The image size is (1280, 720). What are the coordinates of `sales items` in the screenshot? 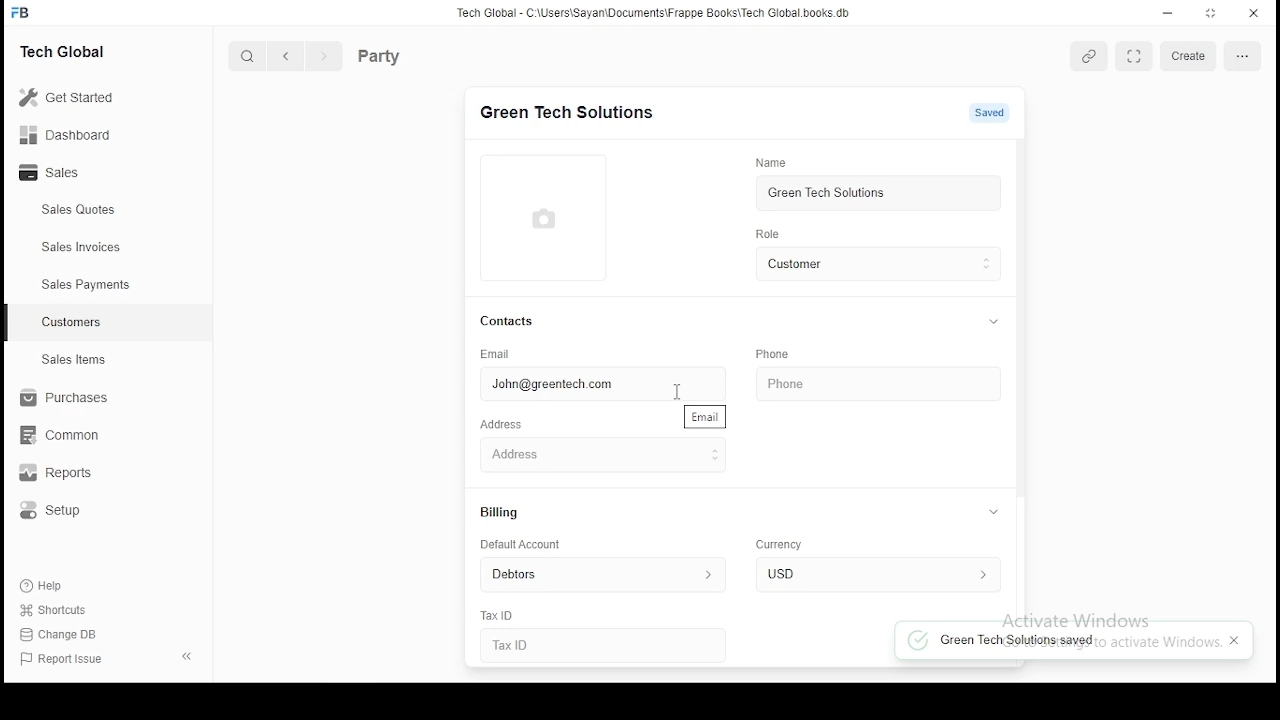 It's located at (72, 360).